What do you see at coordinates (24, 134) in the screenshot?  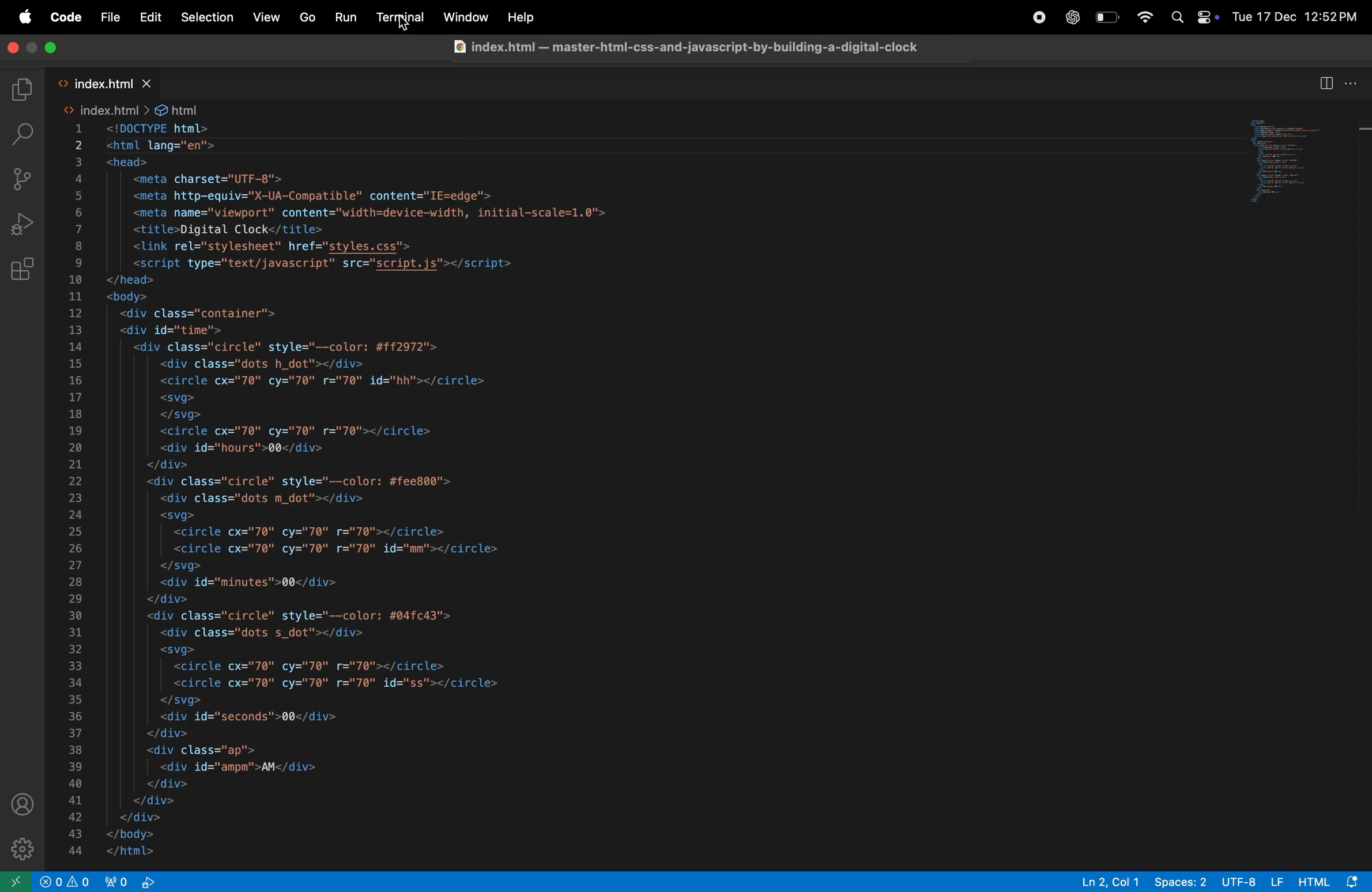 I see `search` at bounding box center [24, 134].